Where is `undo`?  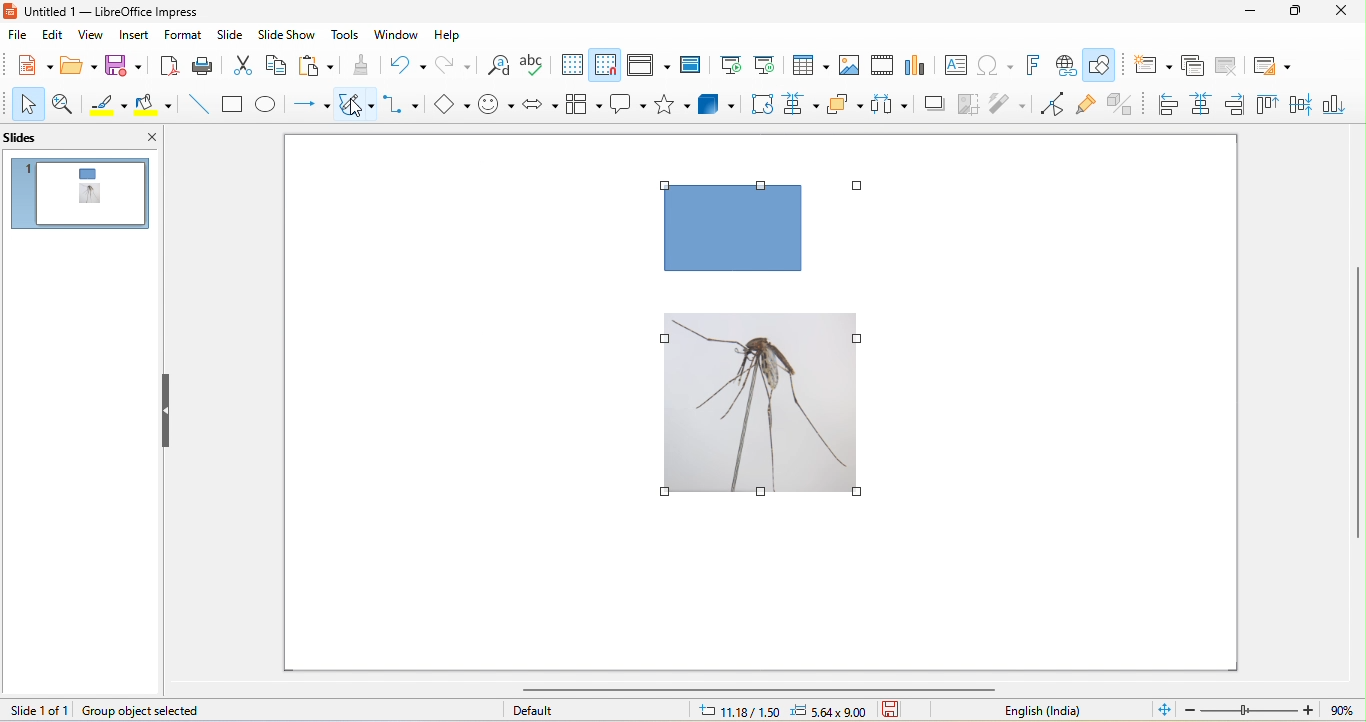
undo is located at coordinates (406, 64).